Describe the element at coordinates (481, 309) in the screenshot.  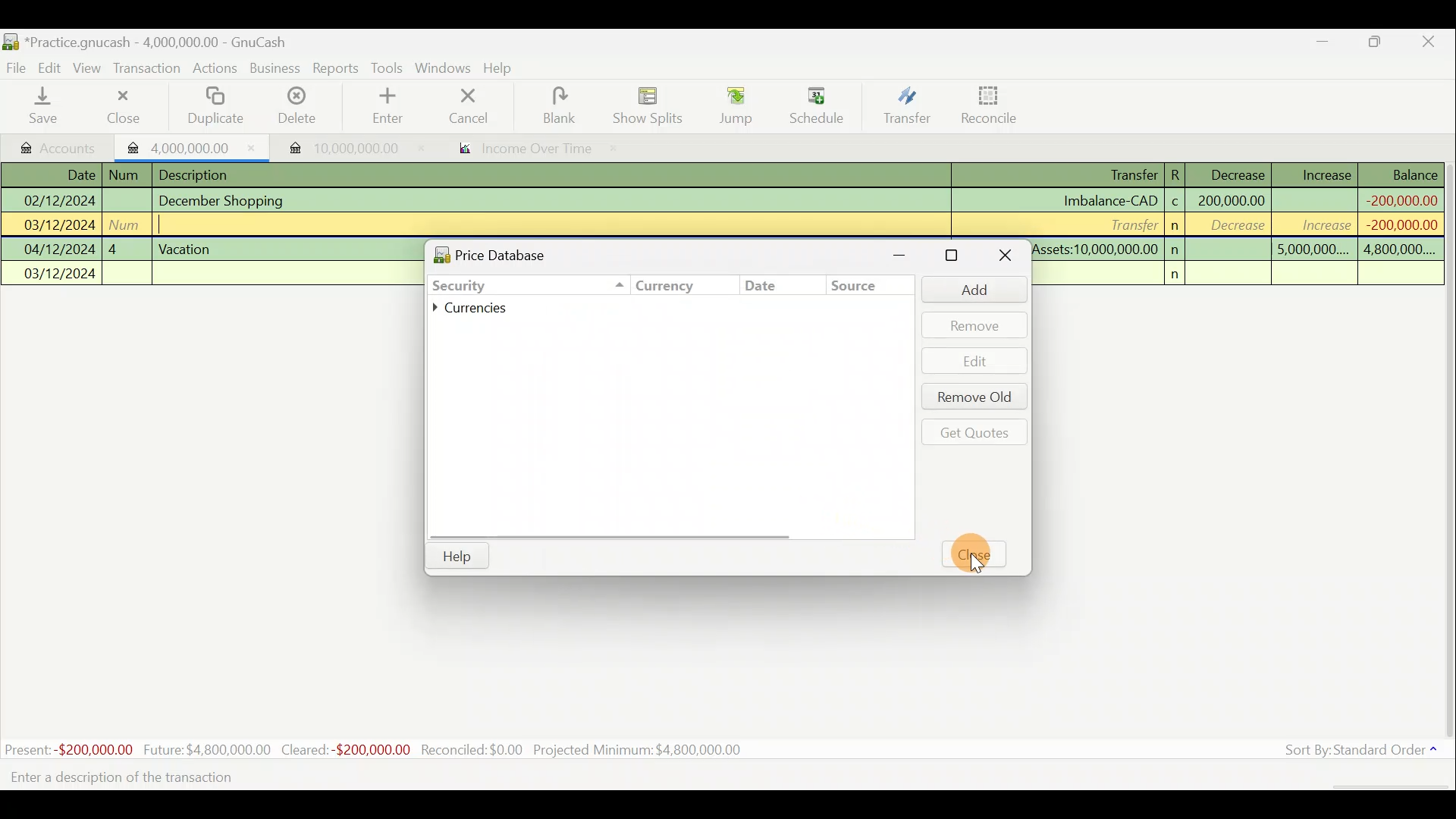
I see `Currencies` at that location.